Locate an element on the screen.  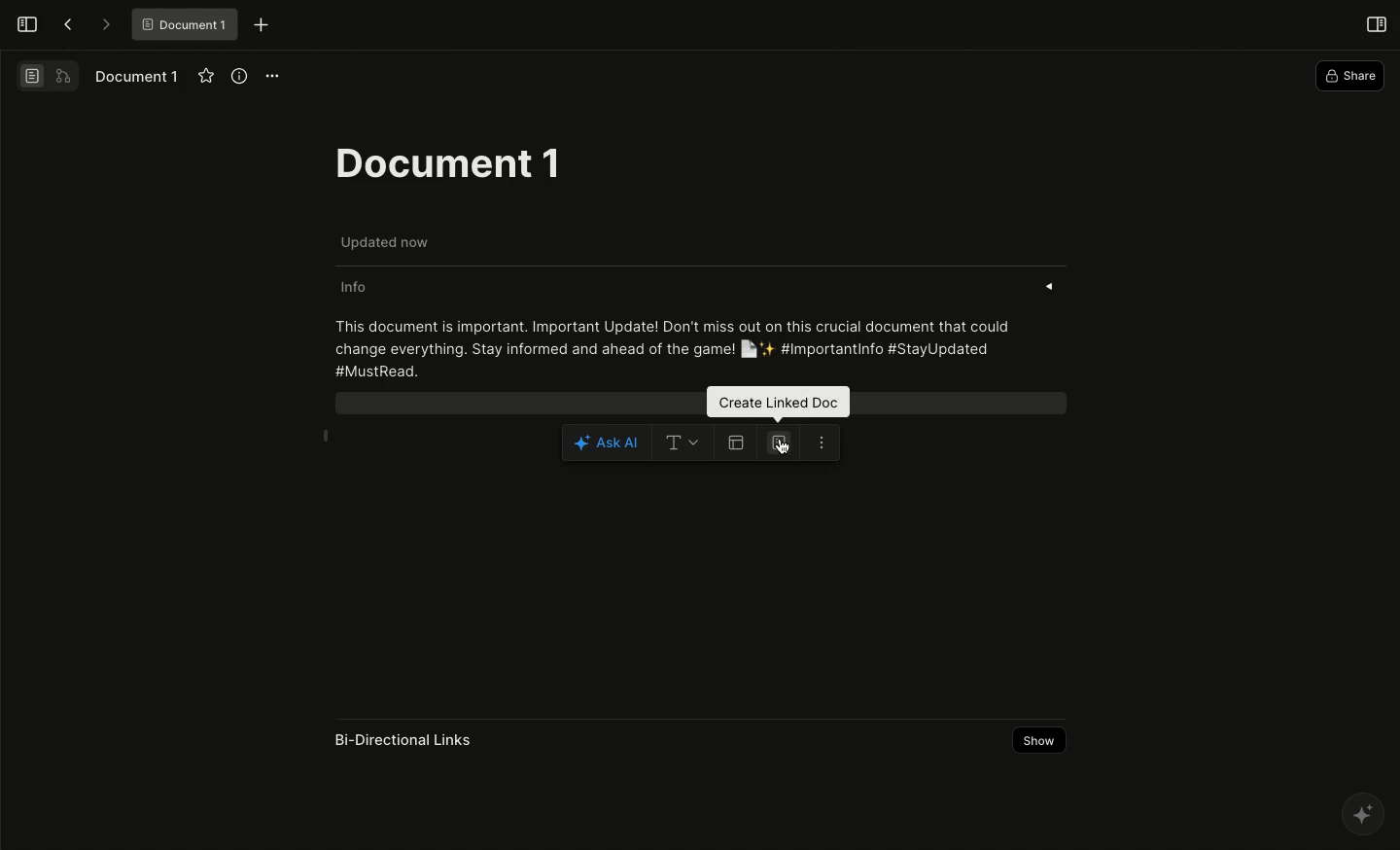
Updated now is located at coordinates (388, 241).